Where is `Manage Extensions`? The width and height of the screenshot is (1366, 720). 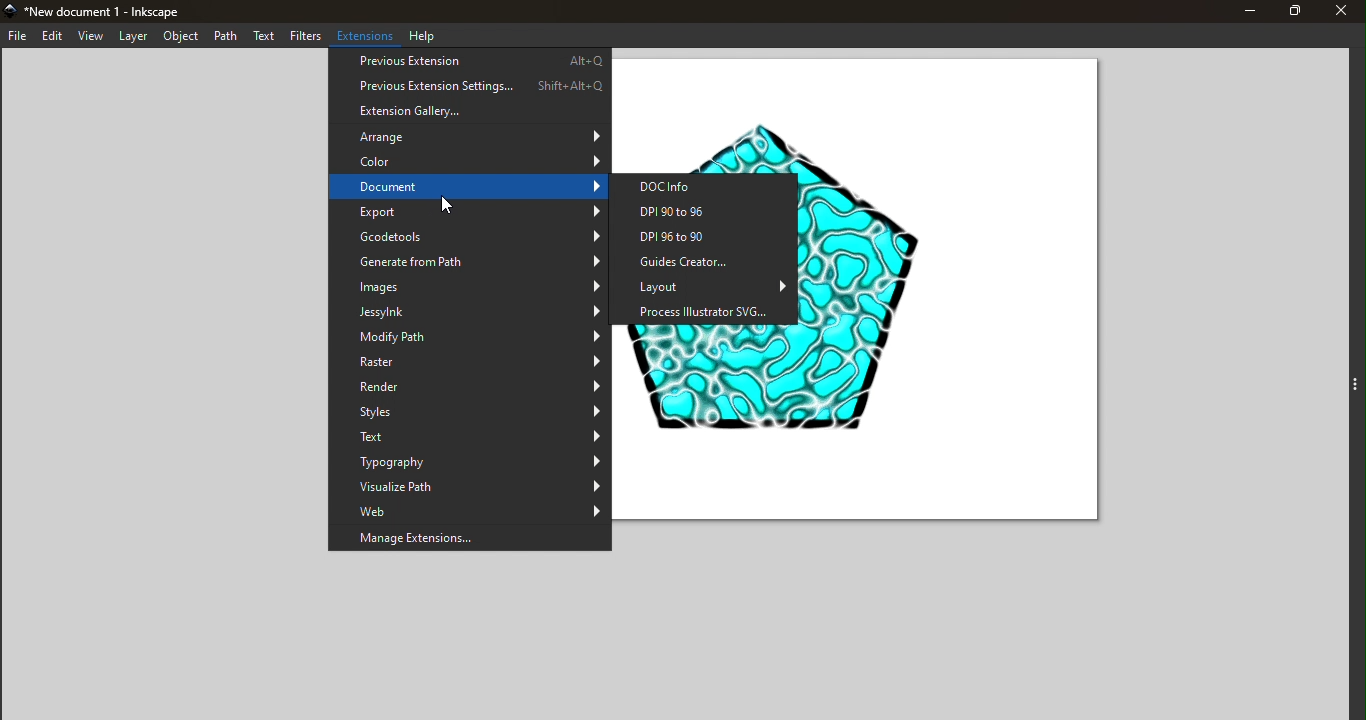
Manage Extensions is located at coordinates (469, 539).